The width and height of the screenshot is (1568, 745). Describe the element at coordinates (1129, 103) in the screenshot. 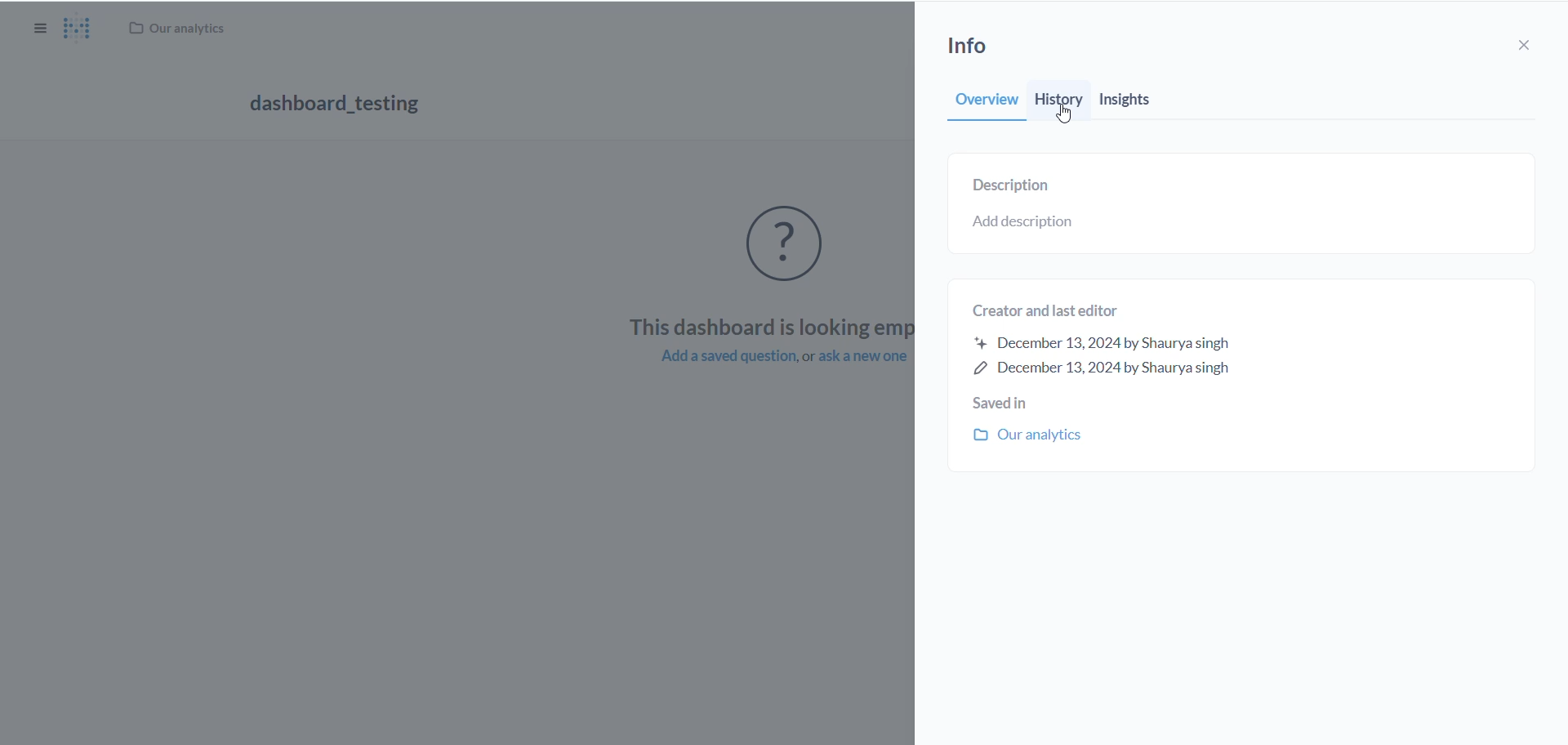

I see `insights` at that location.